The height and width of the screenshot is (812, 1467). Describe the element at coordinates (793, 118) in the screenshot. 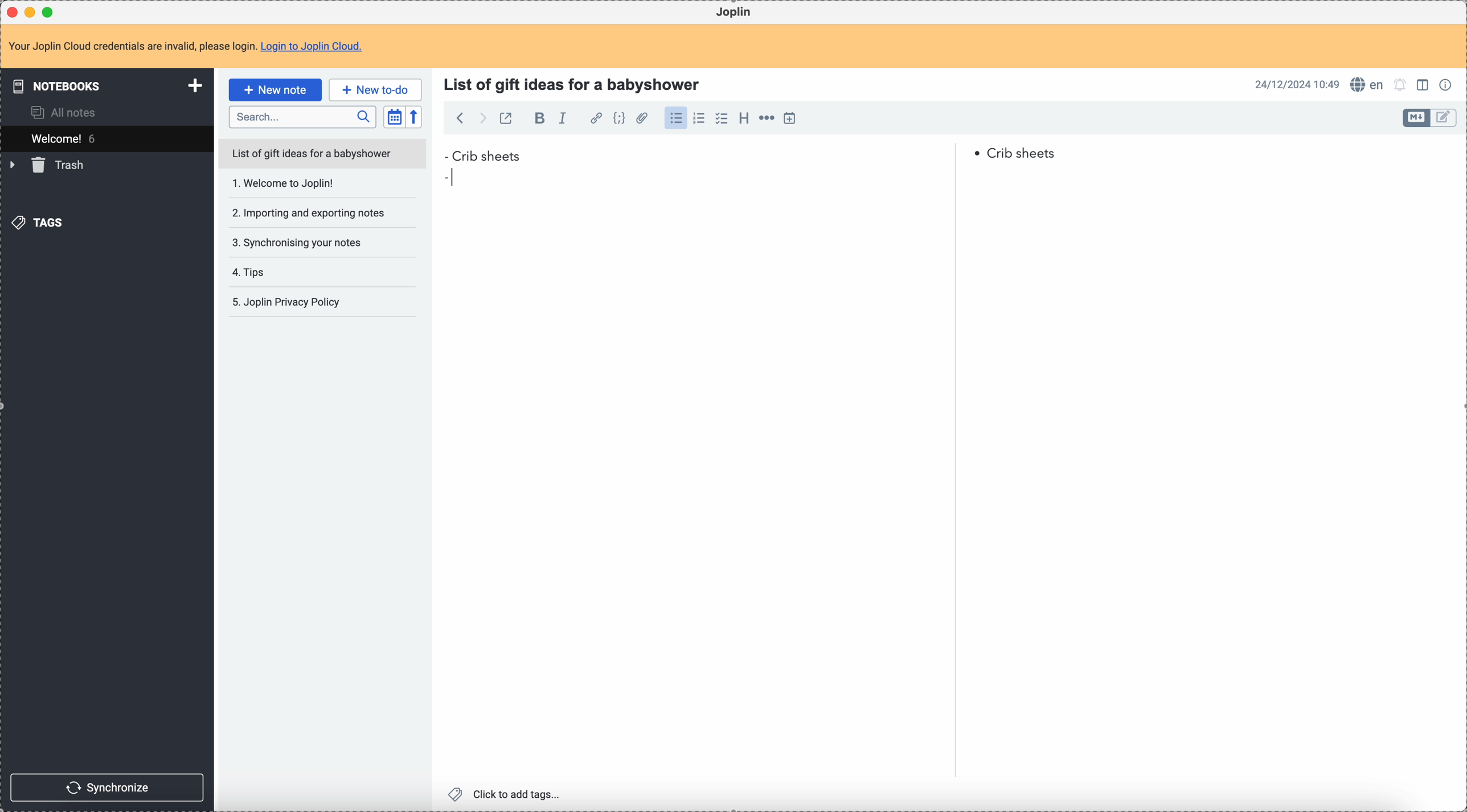

I see `insert time` at that location.